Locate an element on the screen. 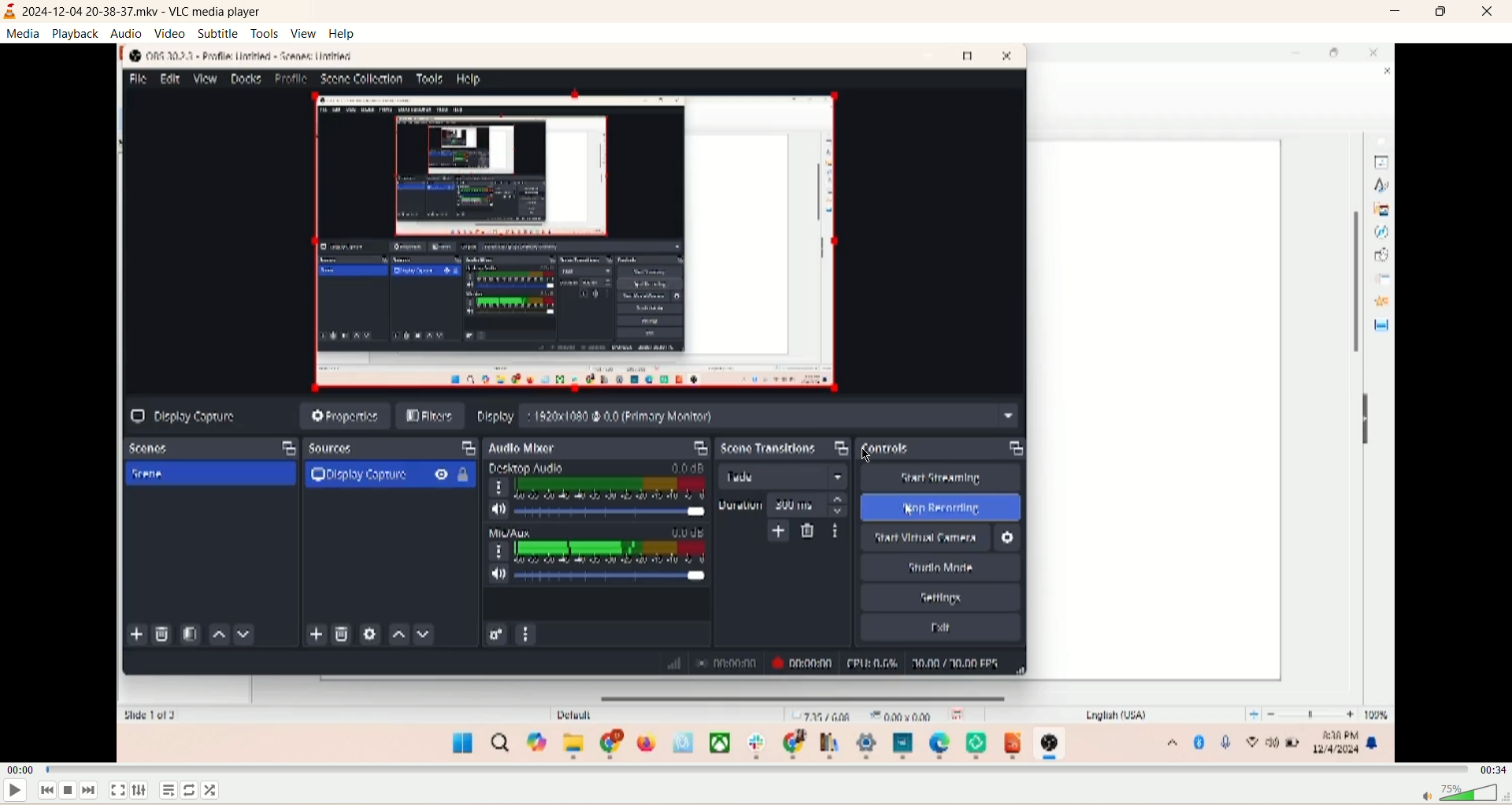  help is located at coordinates (344, 33).